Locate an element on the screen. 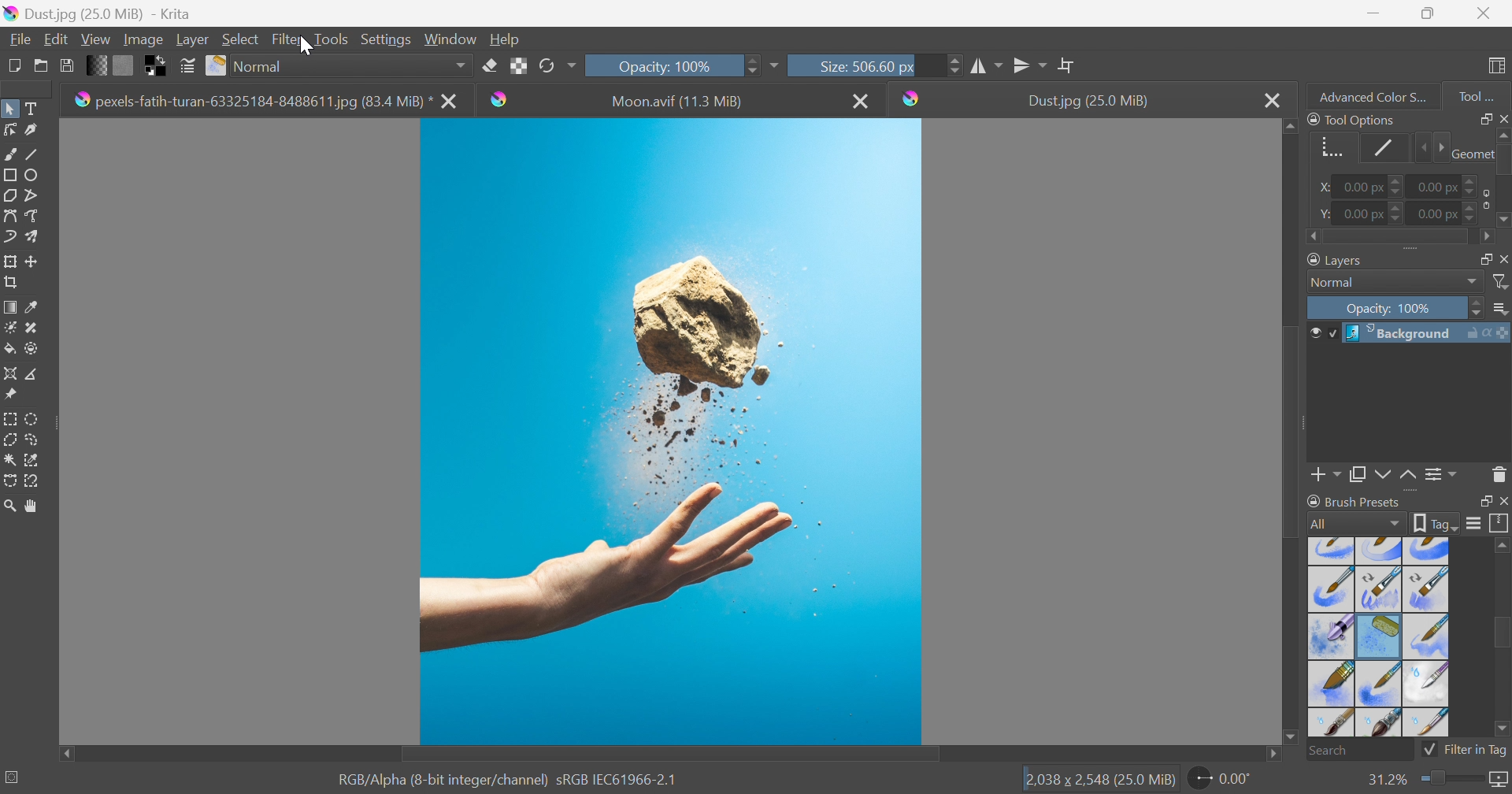 This screenshot has width=1512, height=794. Slider is located at coordinates (1449, 779).